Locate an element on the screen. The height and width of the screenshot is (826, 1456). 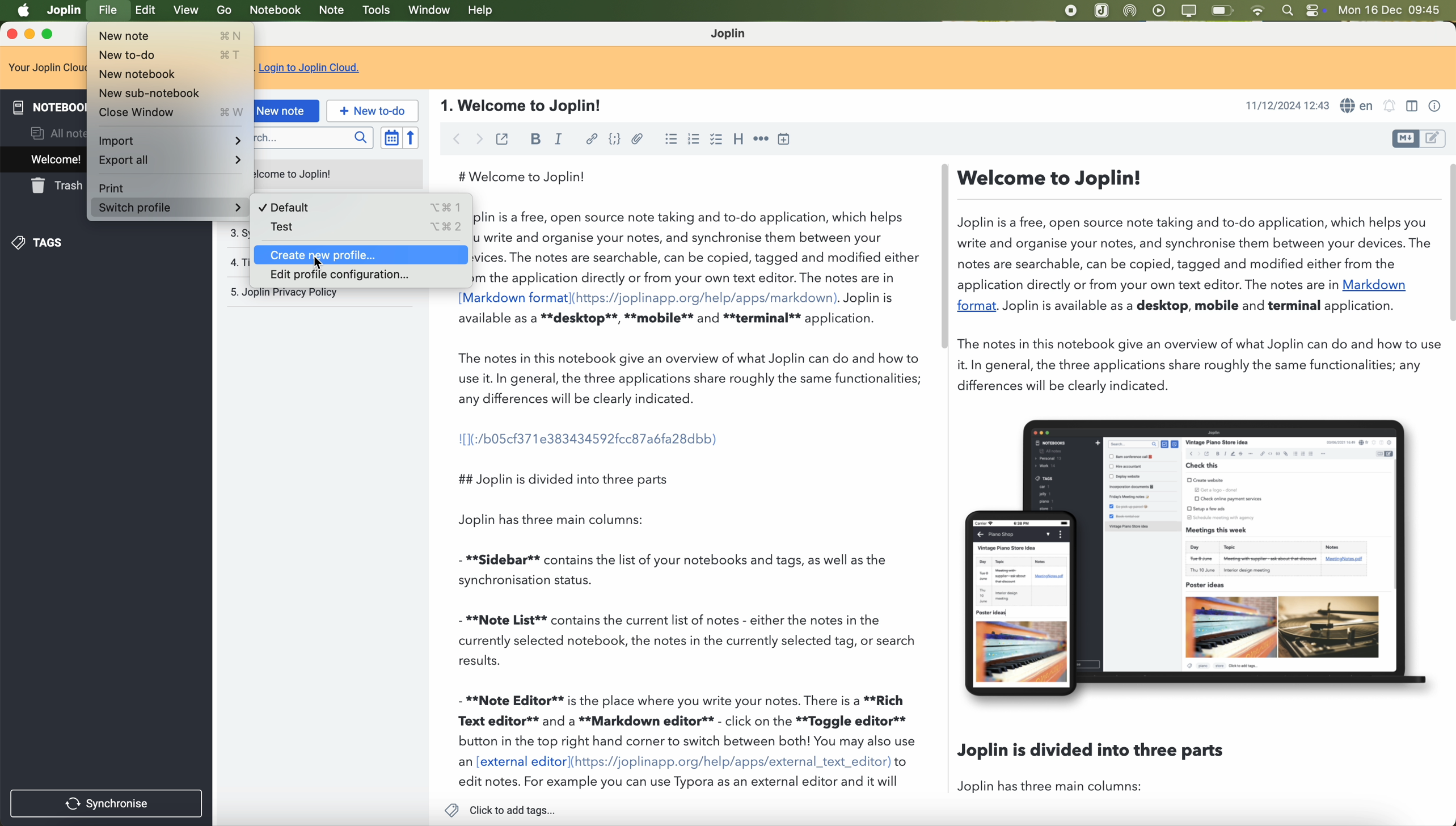
toggle editors is located at coordinates (1403, 139).